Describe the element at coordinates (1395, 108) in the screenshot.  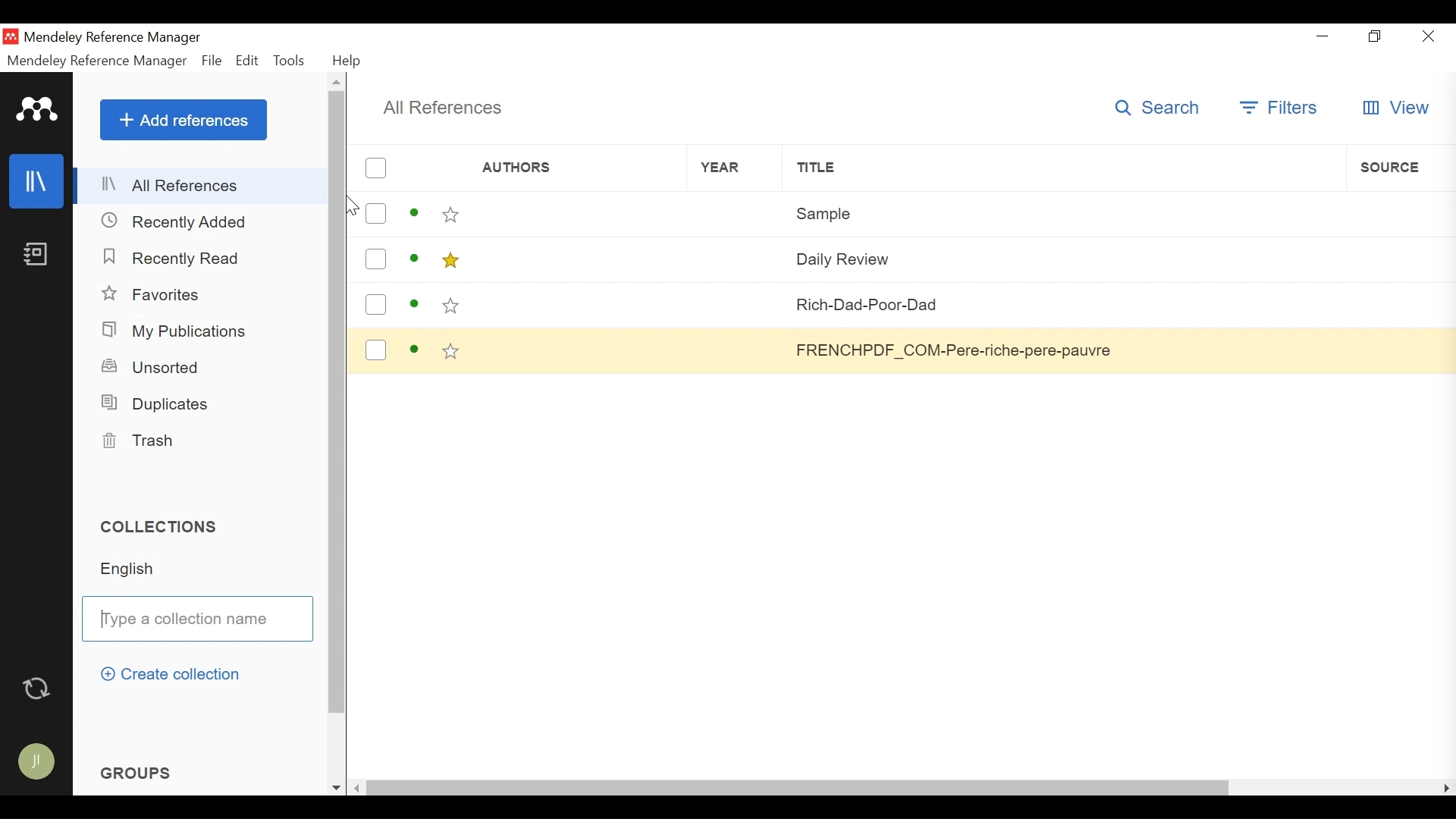
I see `View` at that location.